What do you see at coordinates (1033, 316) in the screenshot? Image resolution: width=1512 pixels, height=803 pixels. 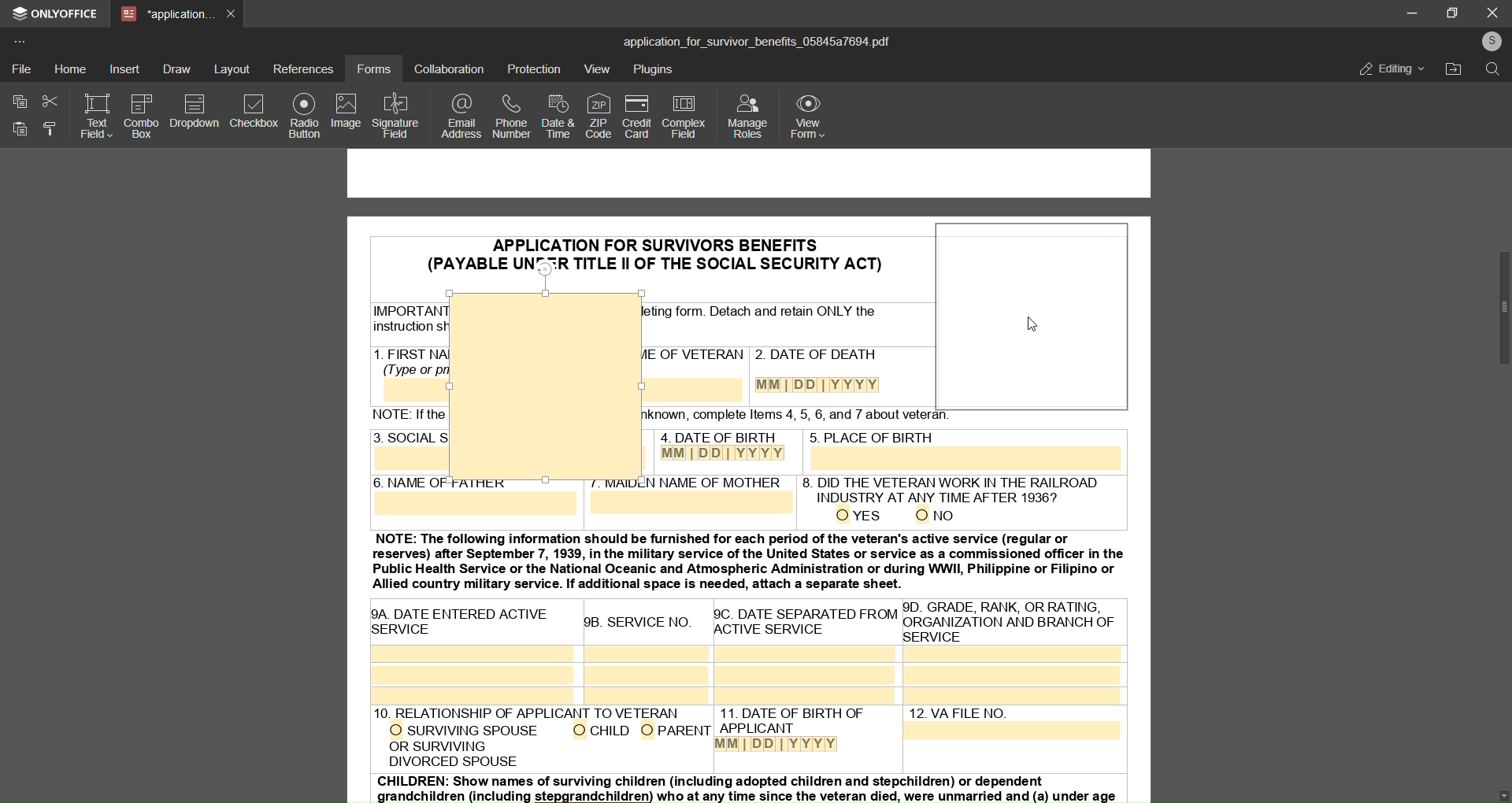 I see `repositioned box` at bounding box center [1033, 316].